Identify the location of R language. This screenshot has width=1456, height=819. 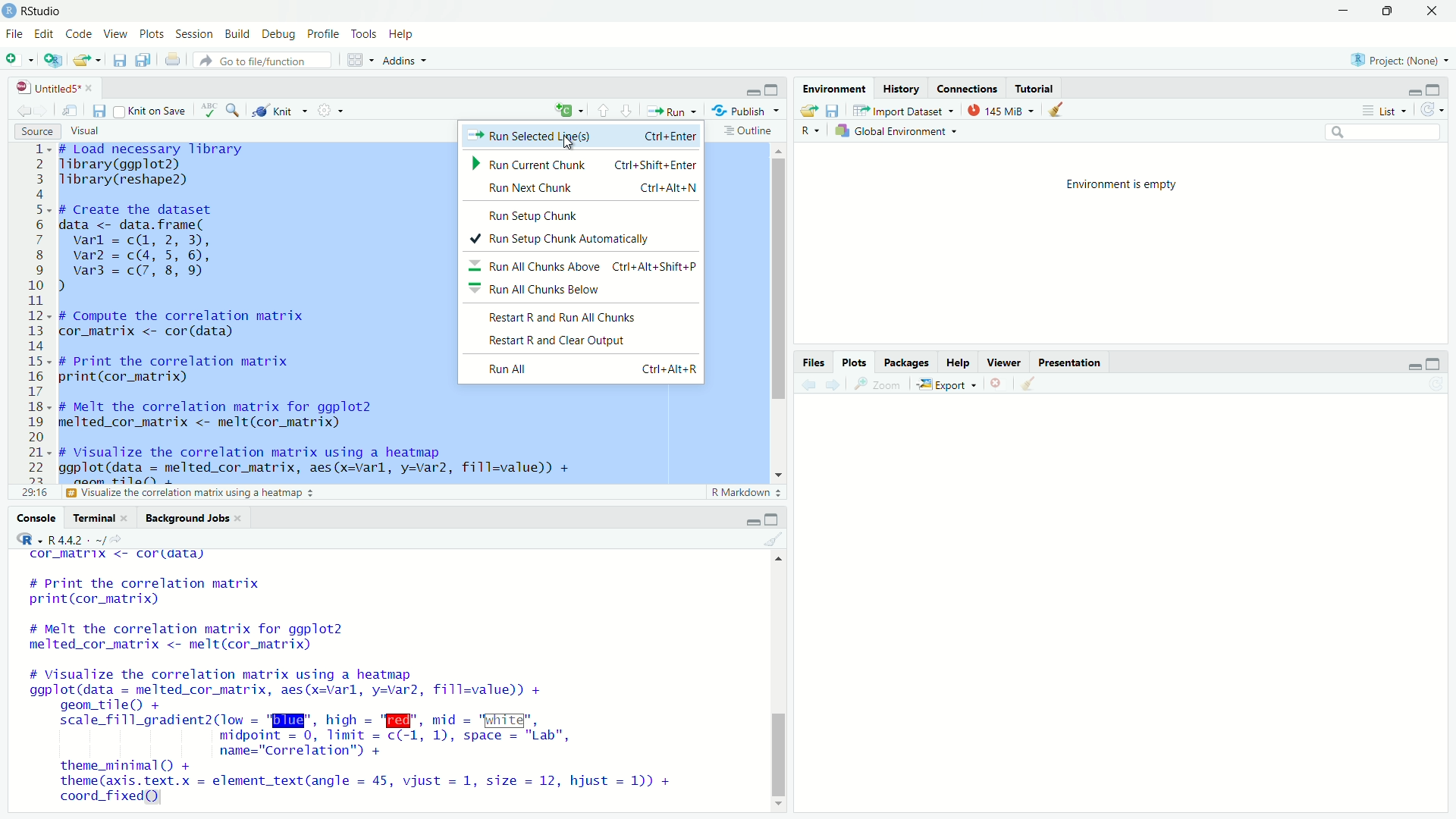
(811, 131).